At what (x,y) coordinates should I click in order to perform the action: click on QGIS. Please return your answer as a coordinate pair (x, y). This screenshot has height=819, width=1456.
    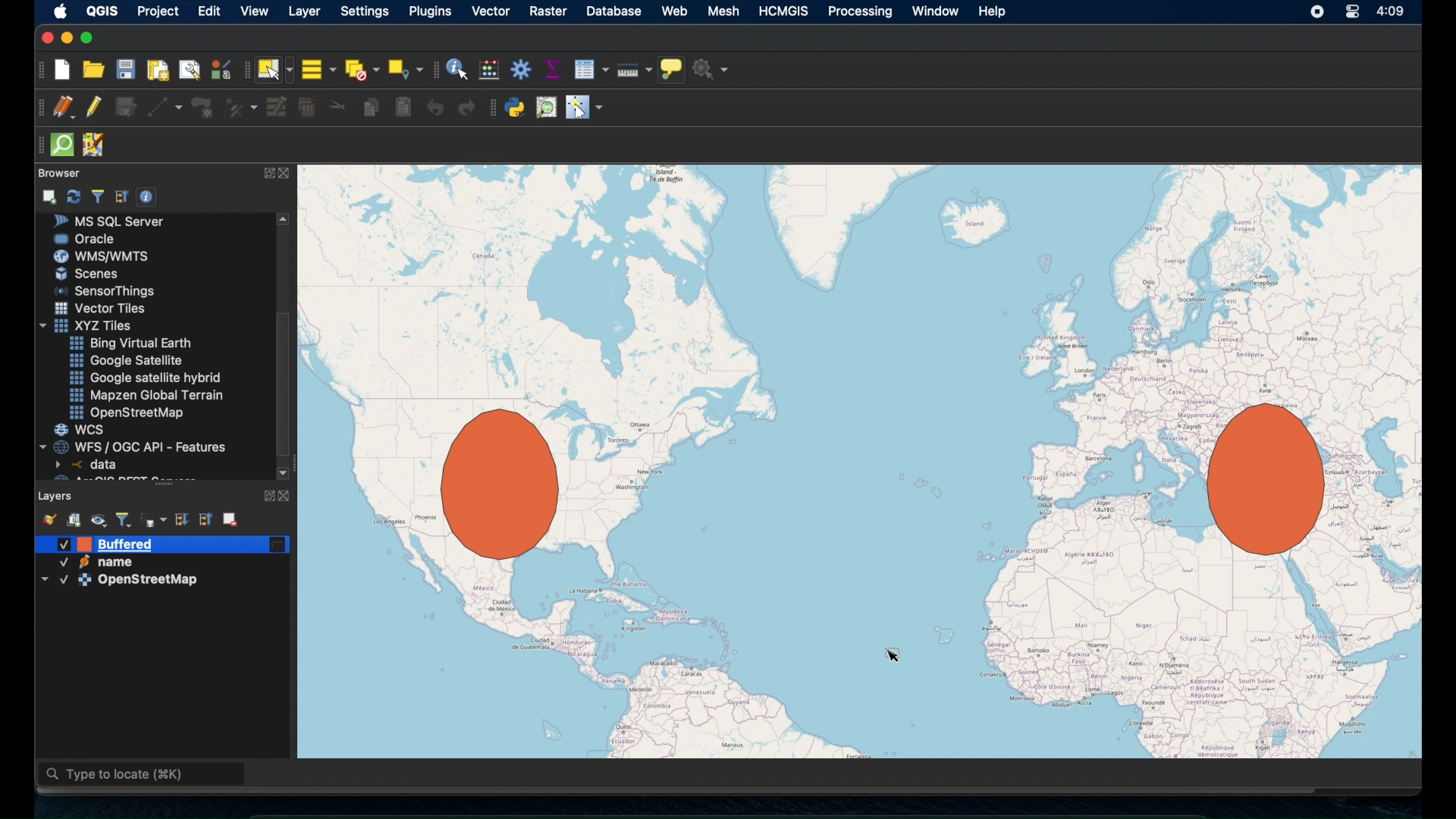
    Looking at the image, I should click on (102, 10).